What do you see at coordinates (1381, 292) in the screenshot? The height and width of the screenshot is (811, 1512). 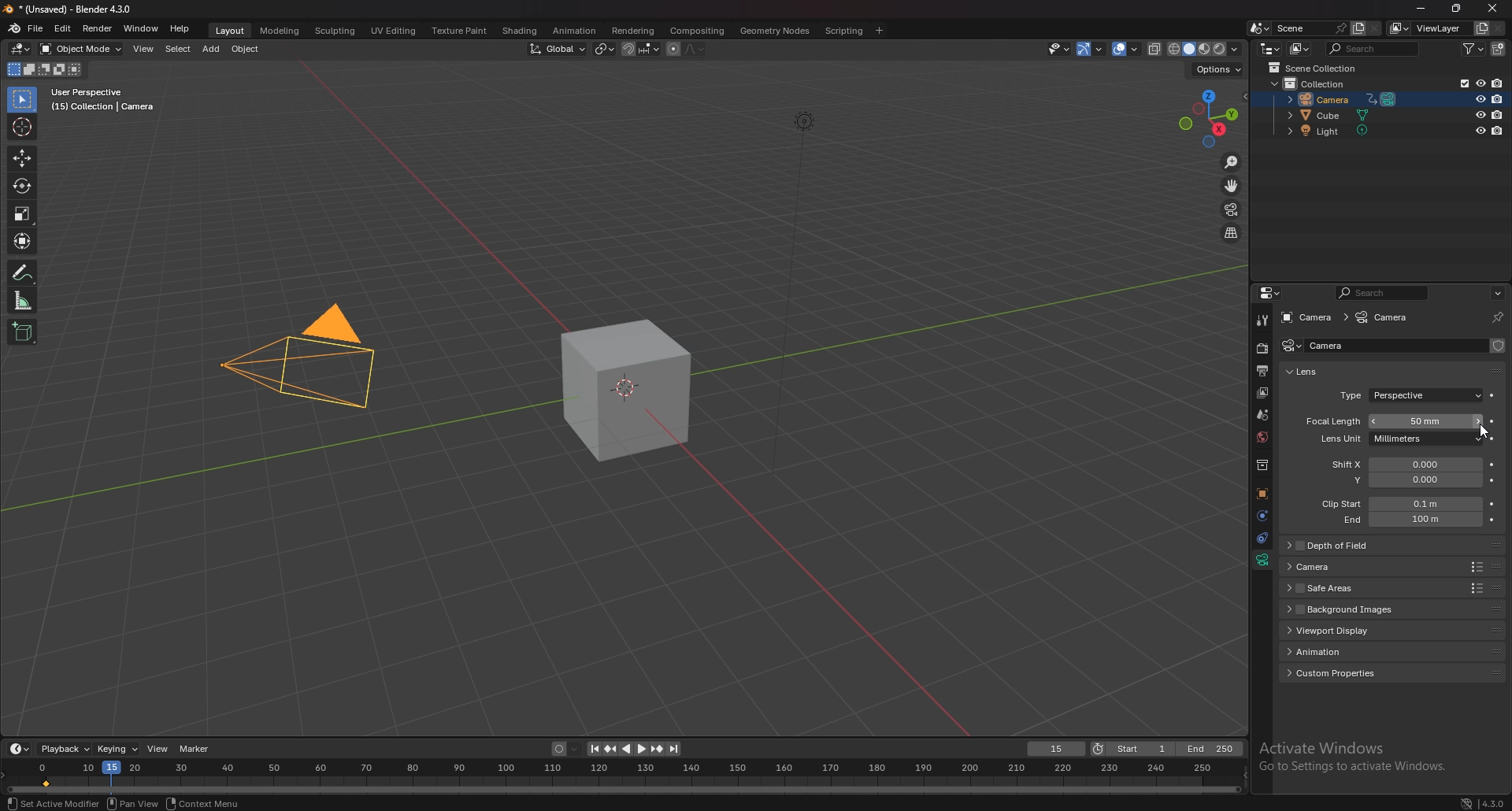 I see `search` at bounding box center [1381, 292].